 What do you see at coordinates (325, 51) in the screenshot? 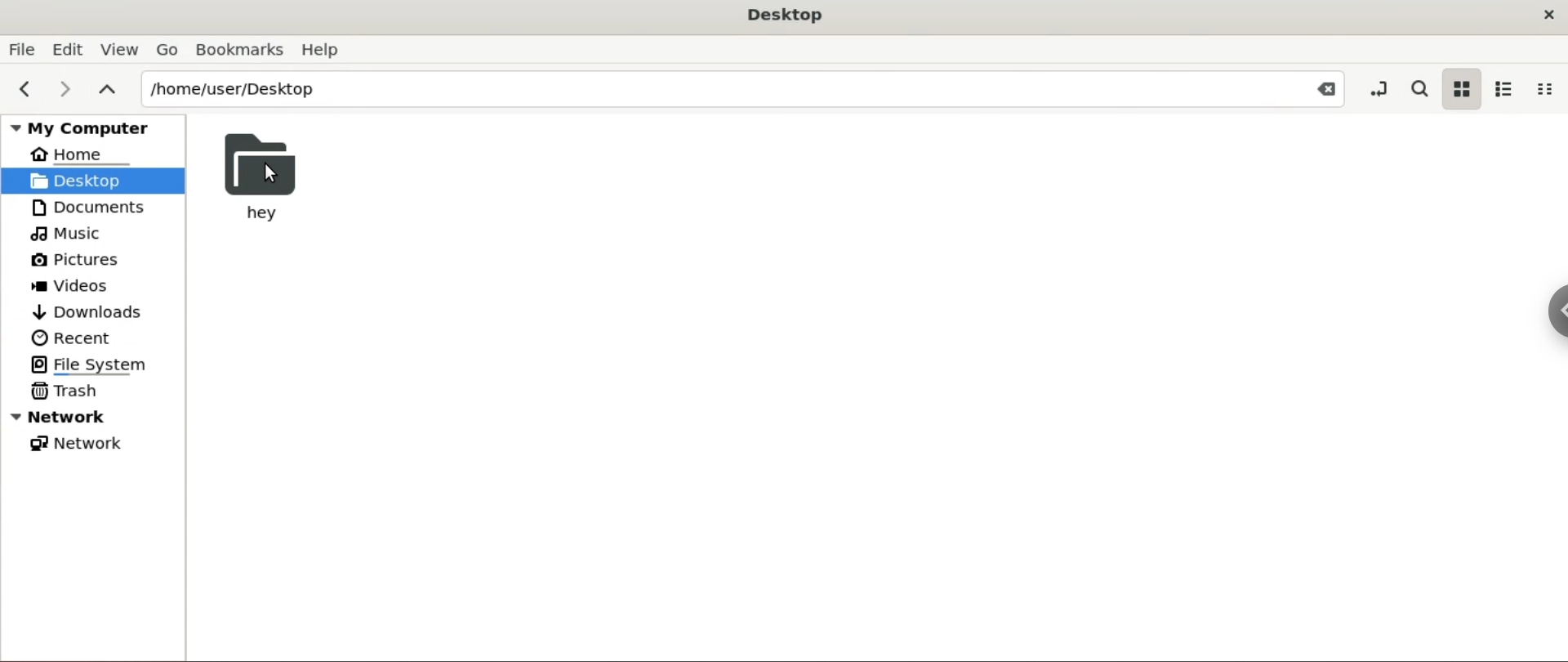
I see `Help` at bounding box center [325, 51].